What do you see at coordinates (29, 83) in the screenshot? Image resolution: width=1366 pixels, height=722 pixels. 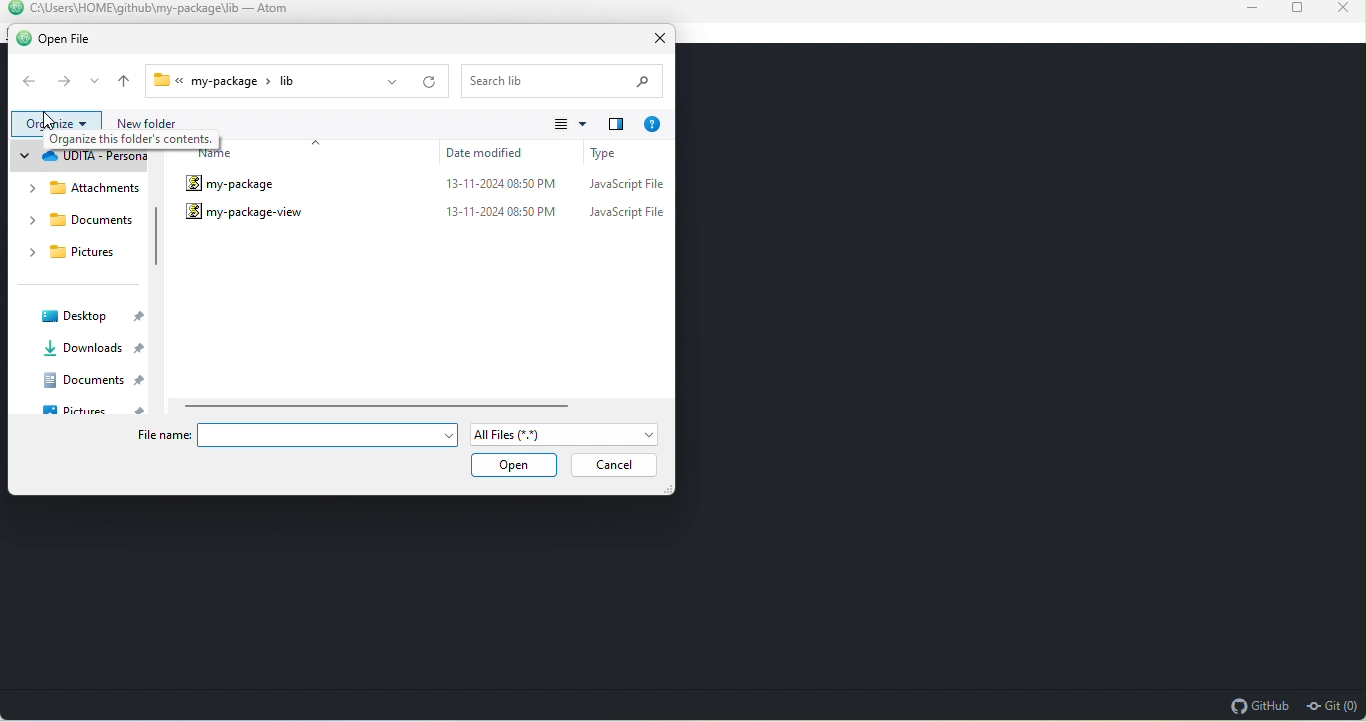 I see `back` at bounding box center [29, 83].